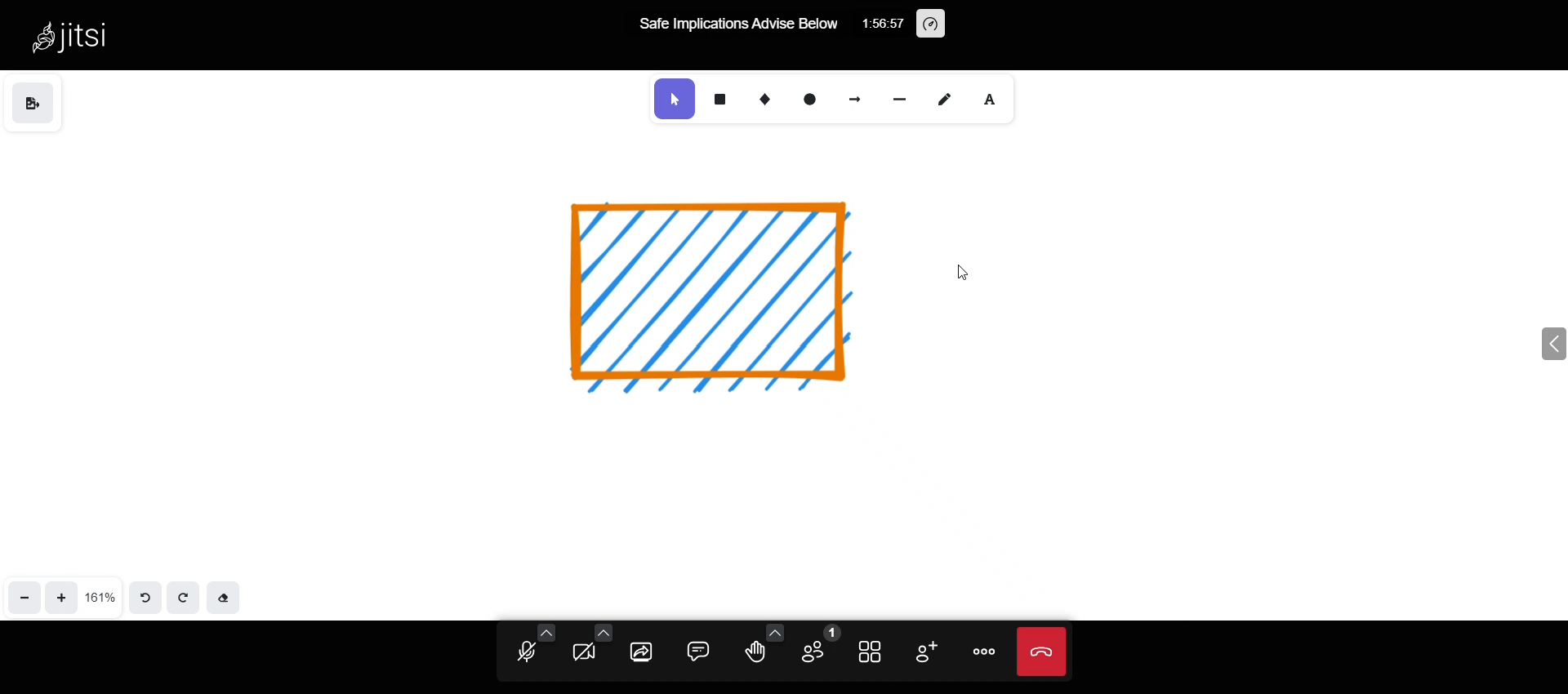 This screenshot has width=1568, height=694. Describe the element at coordinates (676, 99) in the screenshot. I see `selection` at that location.